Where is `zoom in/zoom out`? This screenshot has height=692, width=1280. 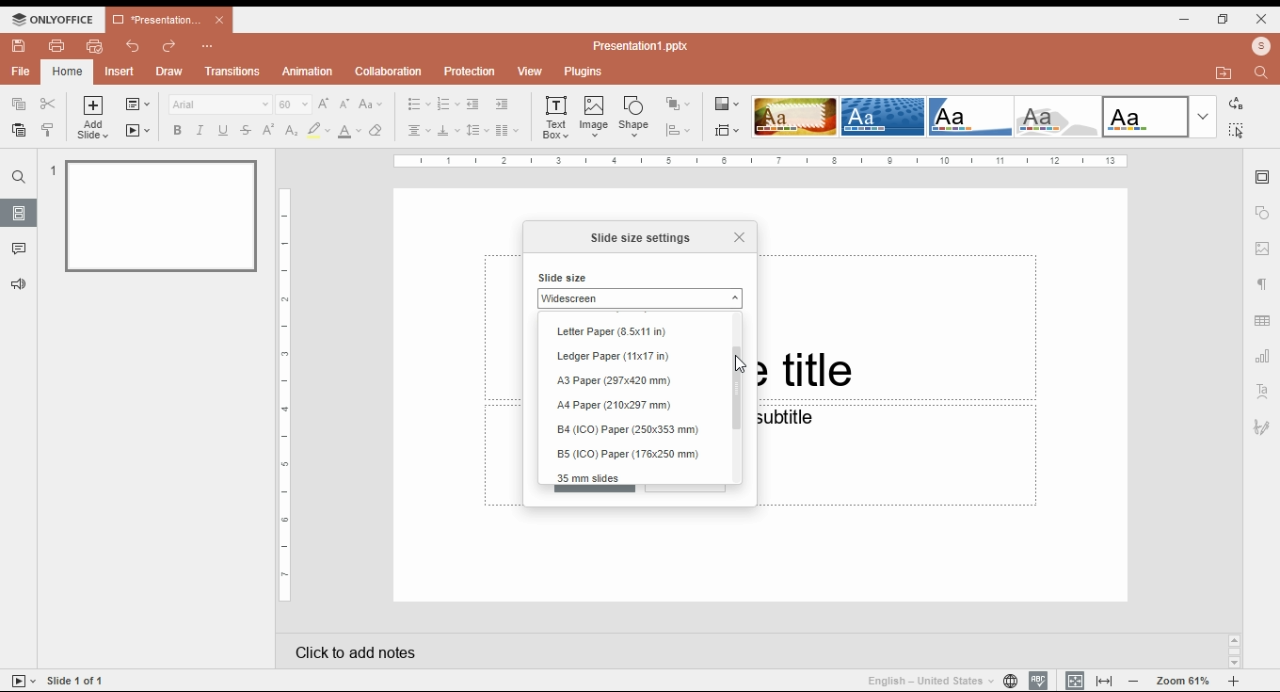 zoom in/zoom out is located at coordinates (1234, 681).